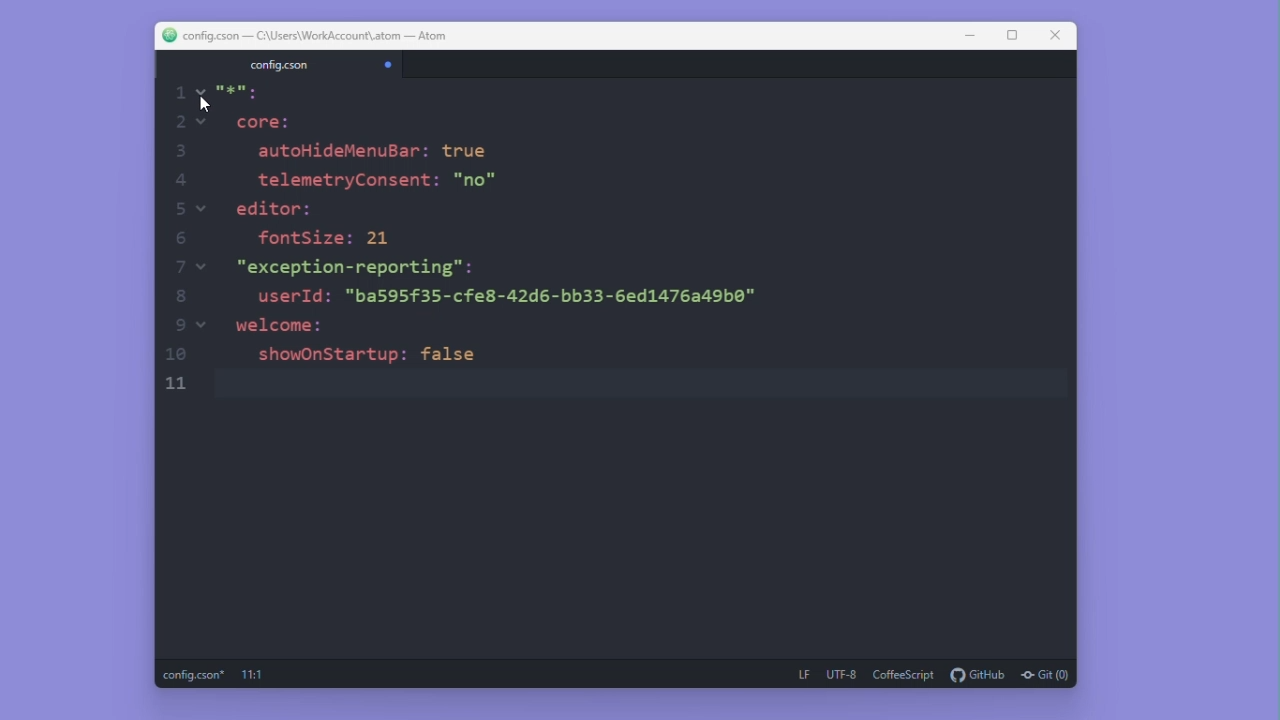  Describe the element at coordinates (500, 241) in the screenshot. I see `S.=s
core:
autoHideMenuBar: true
telemetryConsent: "no"
editor:
fontSize: 21
"exception-reporting":
userId: "ba595f35-cfe8-42d6-bb33-6ed1476a49b0™
welcome:
showOnStartup: false` at that location.